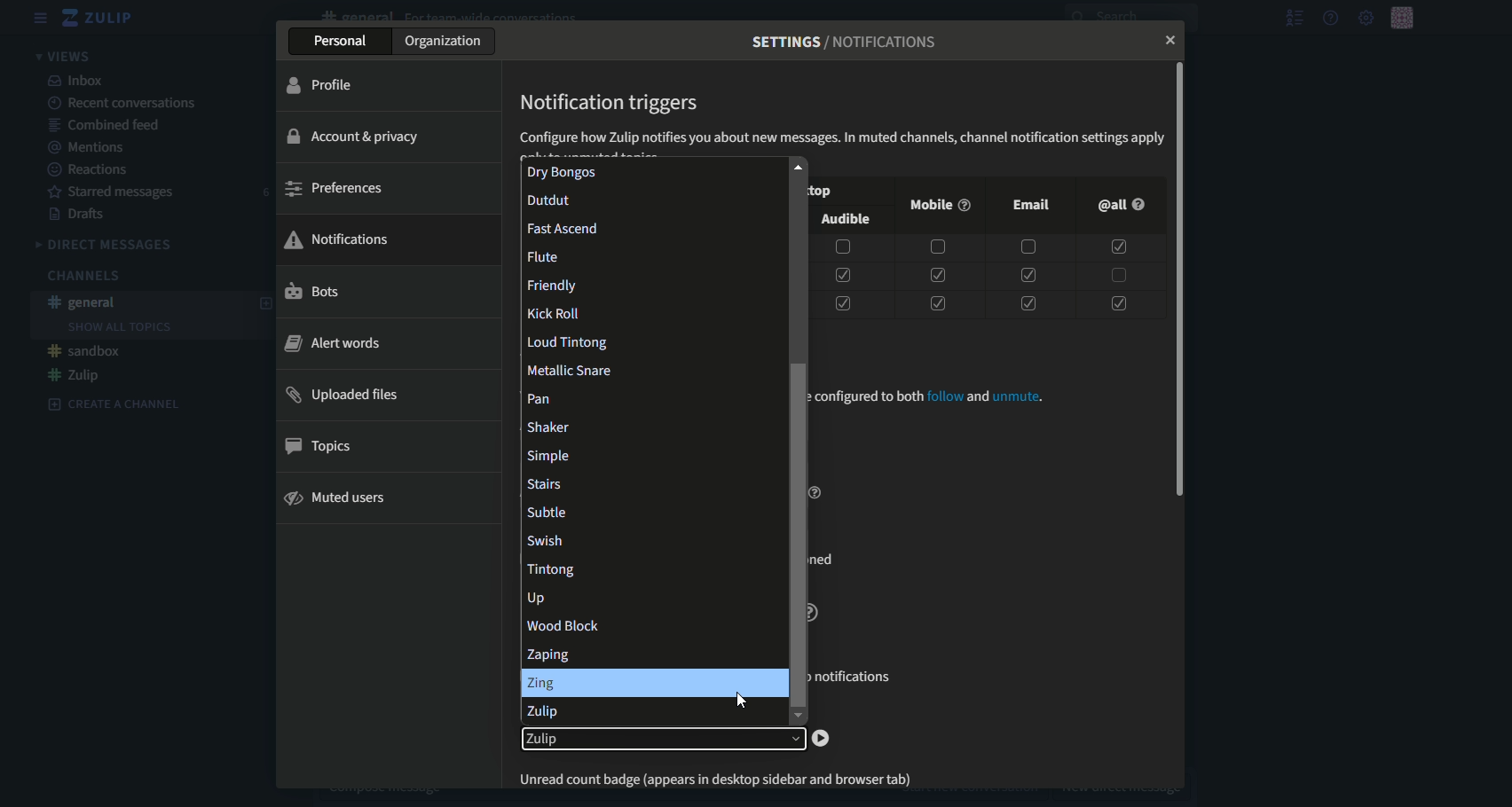 This screenshot has width=1512, height=807. What do you see at coordinates (75, 375) in the screenshot?
I see `#Zulip` at bounding box center [75, 375].